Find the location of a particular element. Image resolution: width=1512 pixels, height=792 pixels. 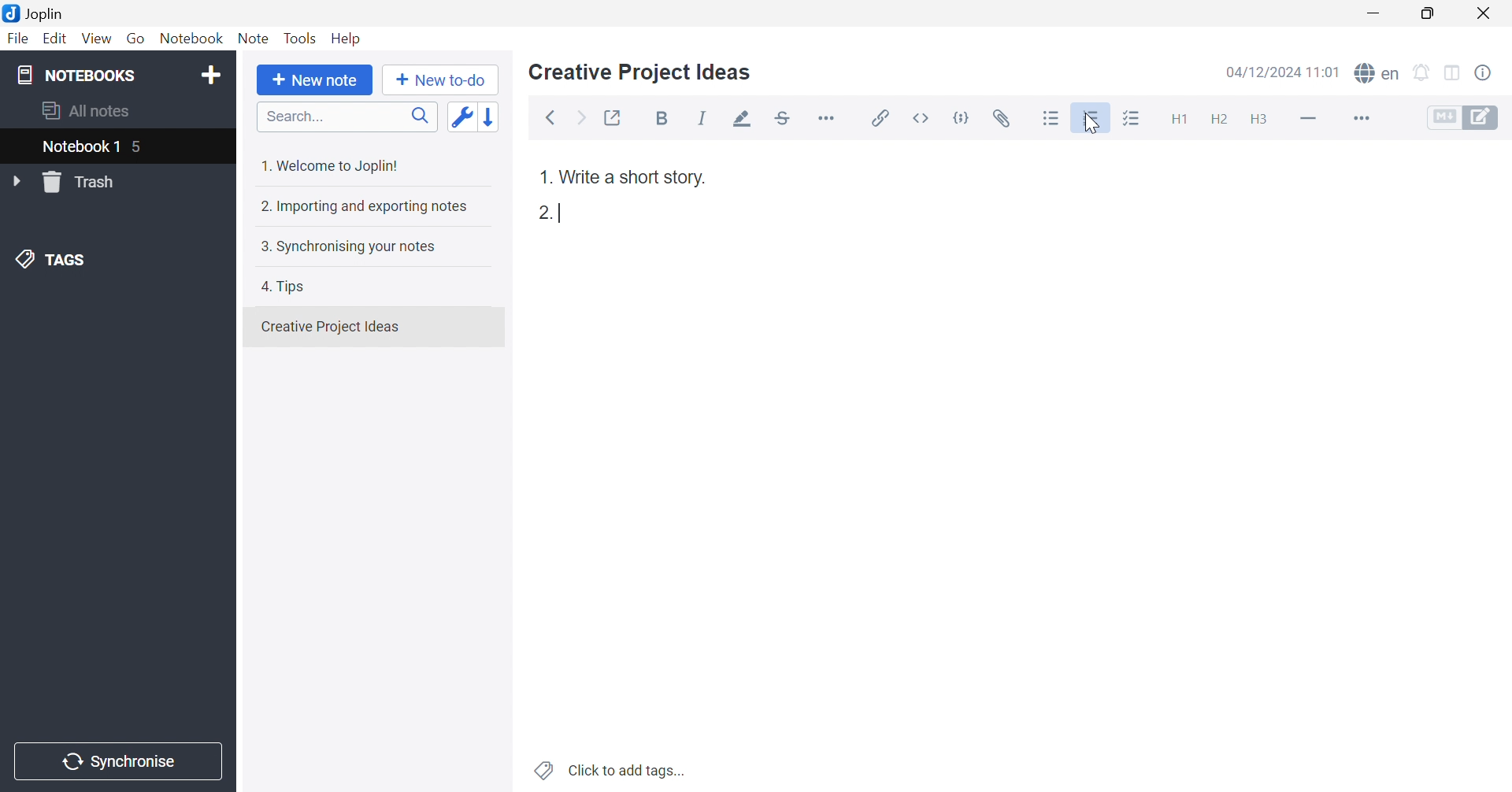

Drop Down is located at coordinates (20, 182).